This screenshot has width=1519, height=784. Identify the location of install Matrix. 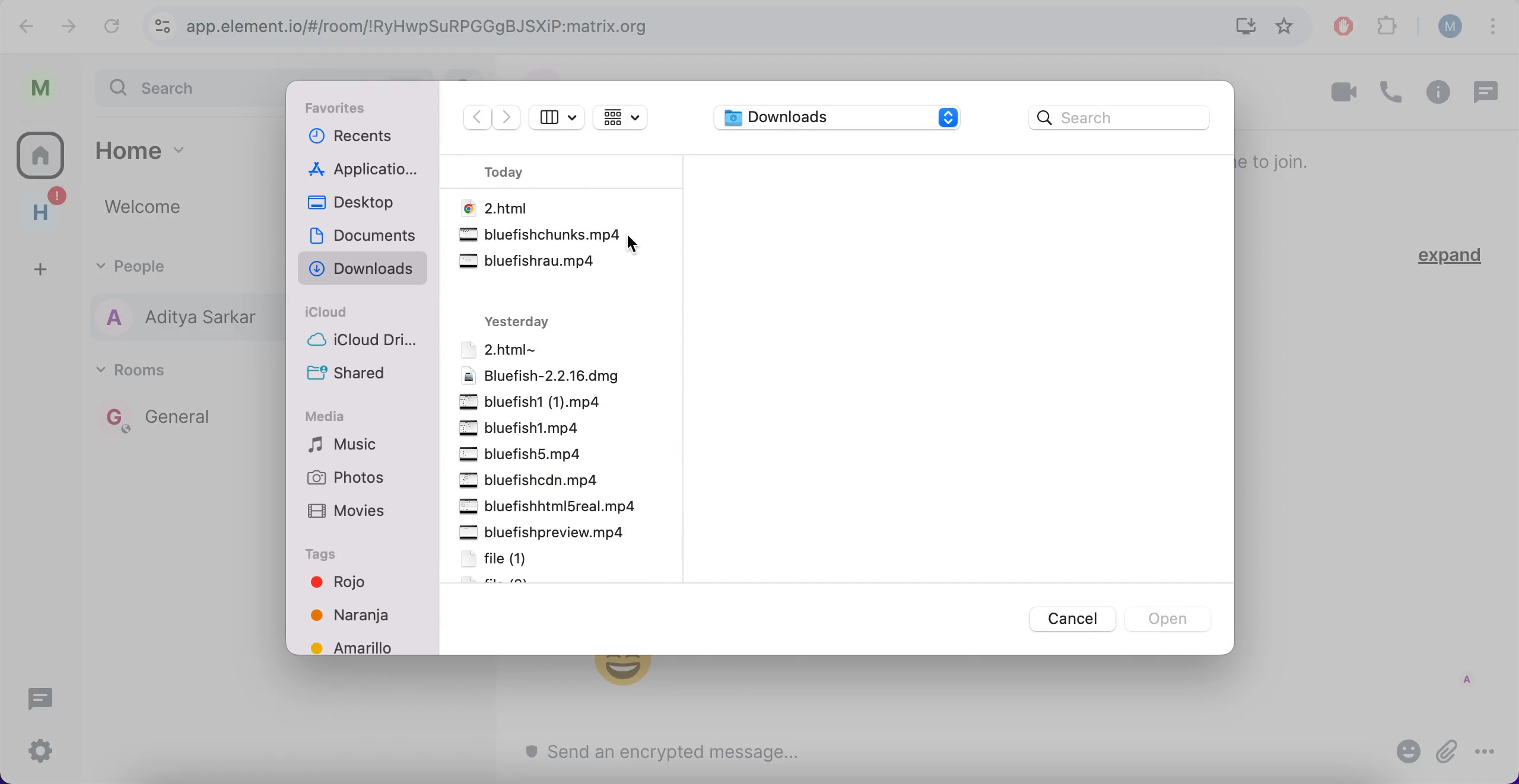
(1247, 23).